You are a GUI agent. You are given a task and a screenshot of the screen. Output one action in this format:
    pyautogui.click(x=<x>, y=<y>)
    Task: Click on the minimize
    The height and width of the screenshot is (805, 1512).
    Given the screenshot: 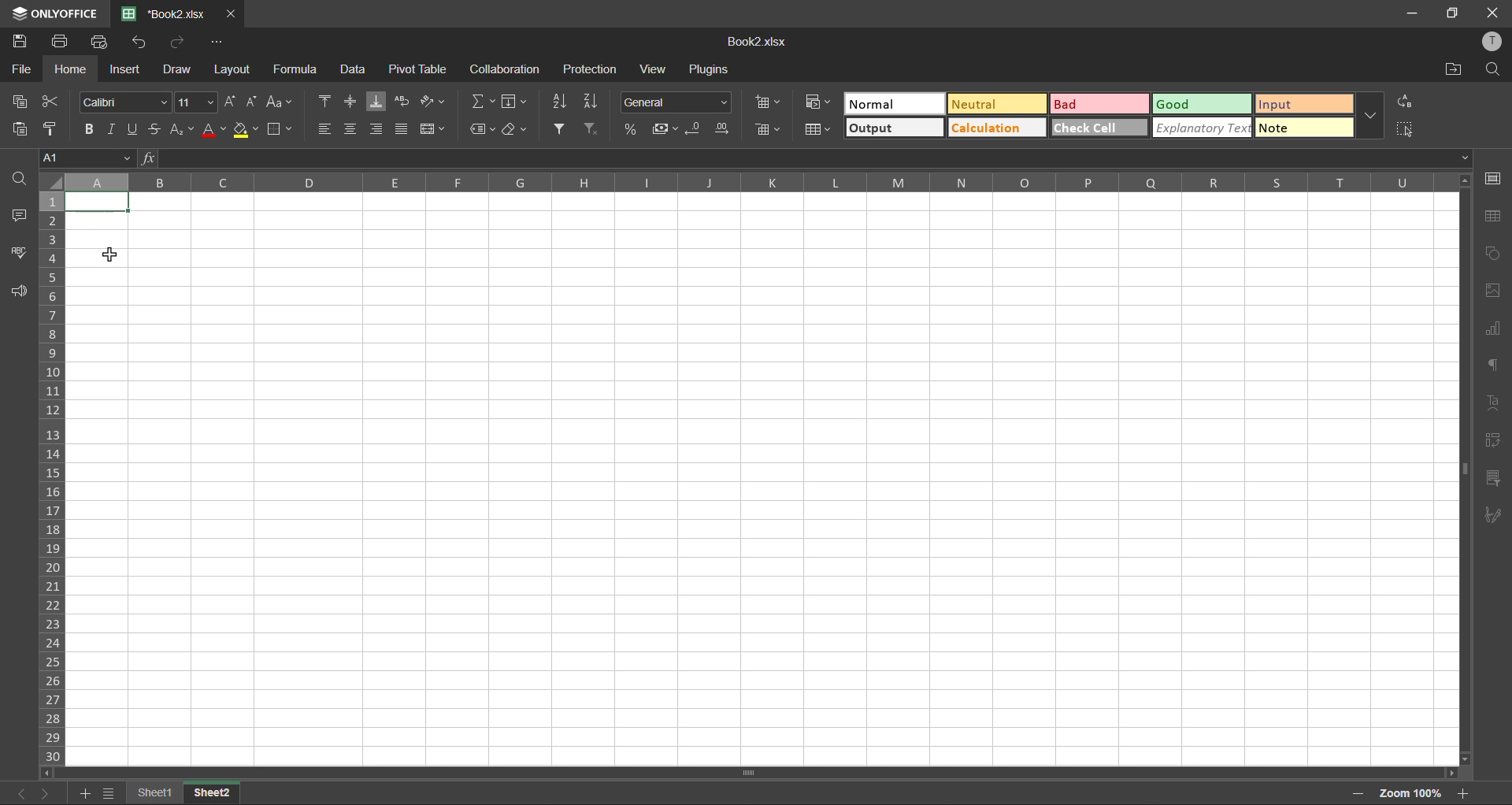 What is the action you would take?
    pyautogui.click(x=1414, y=12)
    